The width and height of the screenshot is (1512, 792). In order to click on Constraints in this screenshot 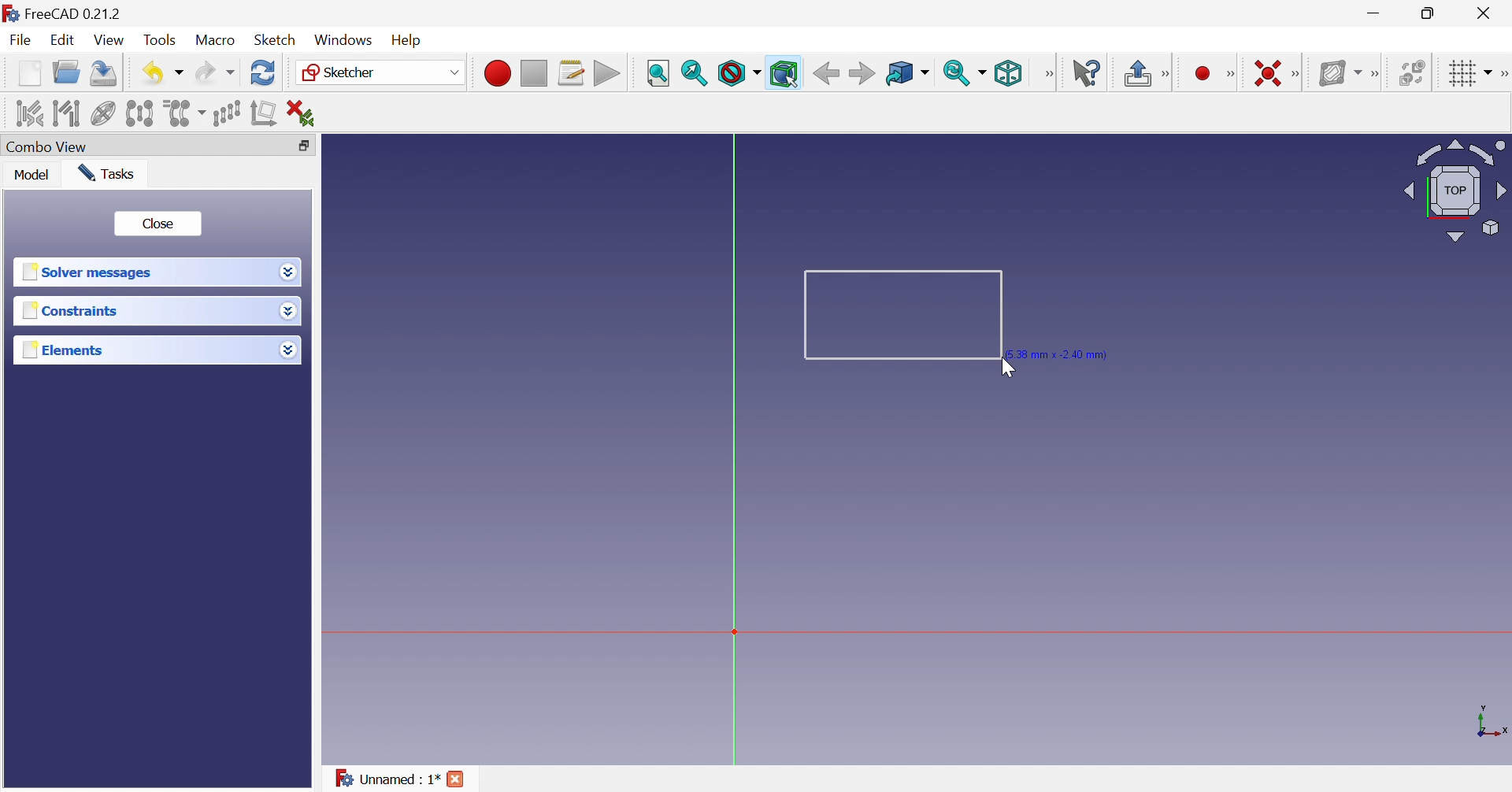, I will do `click(70, 310)`.